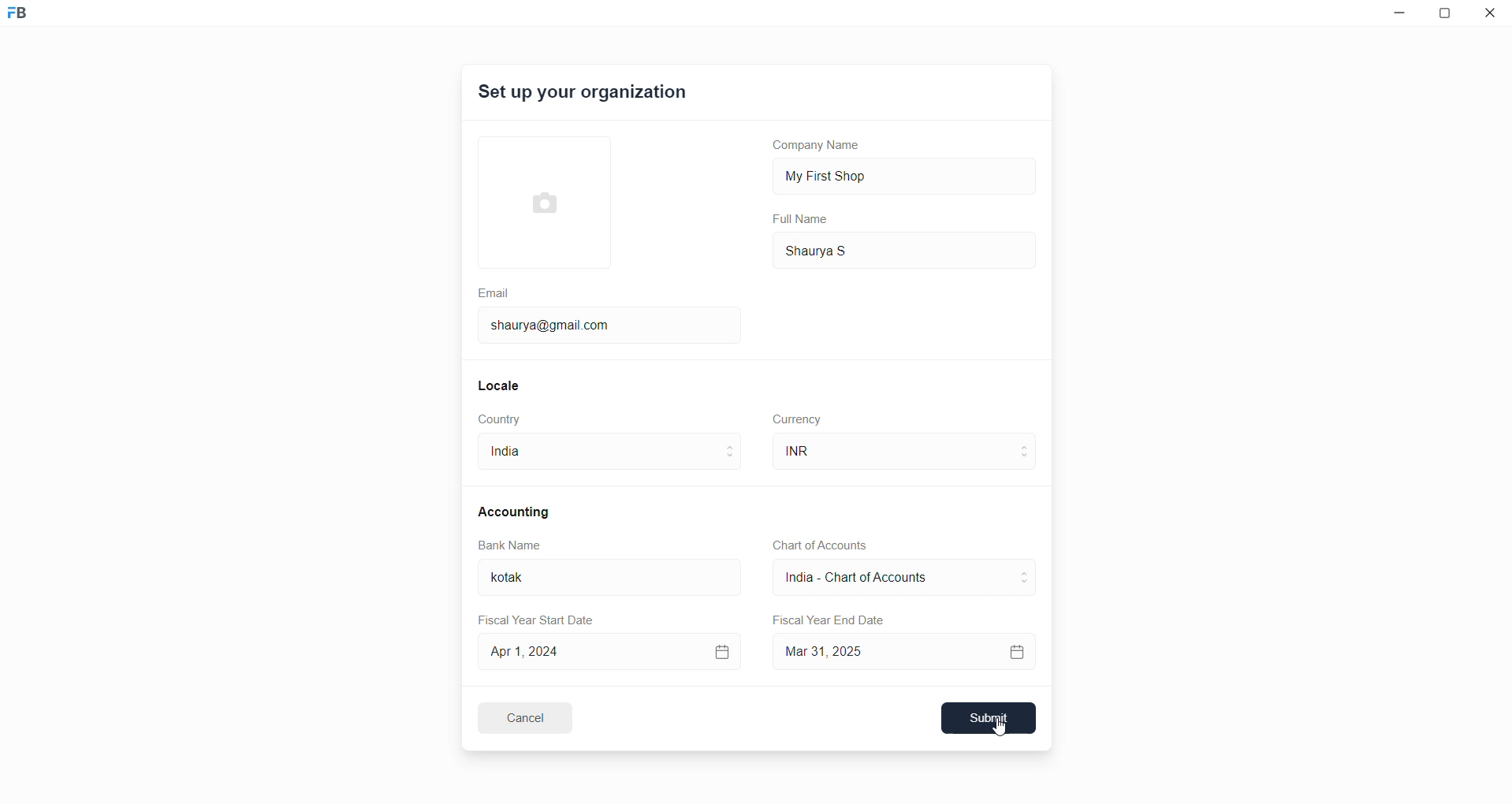 This screenshot has width=1512, height=804. Describe the element at coordinates (865, 579) in the screenshot. I see `India - Chart of Account` at that location.